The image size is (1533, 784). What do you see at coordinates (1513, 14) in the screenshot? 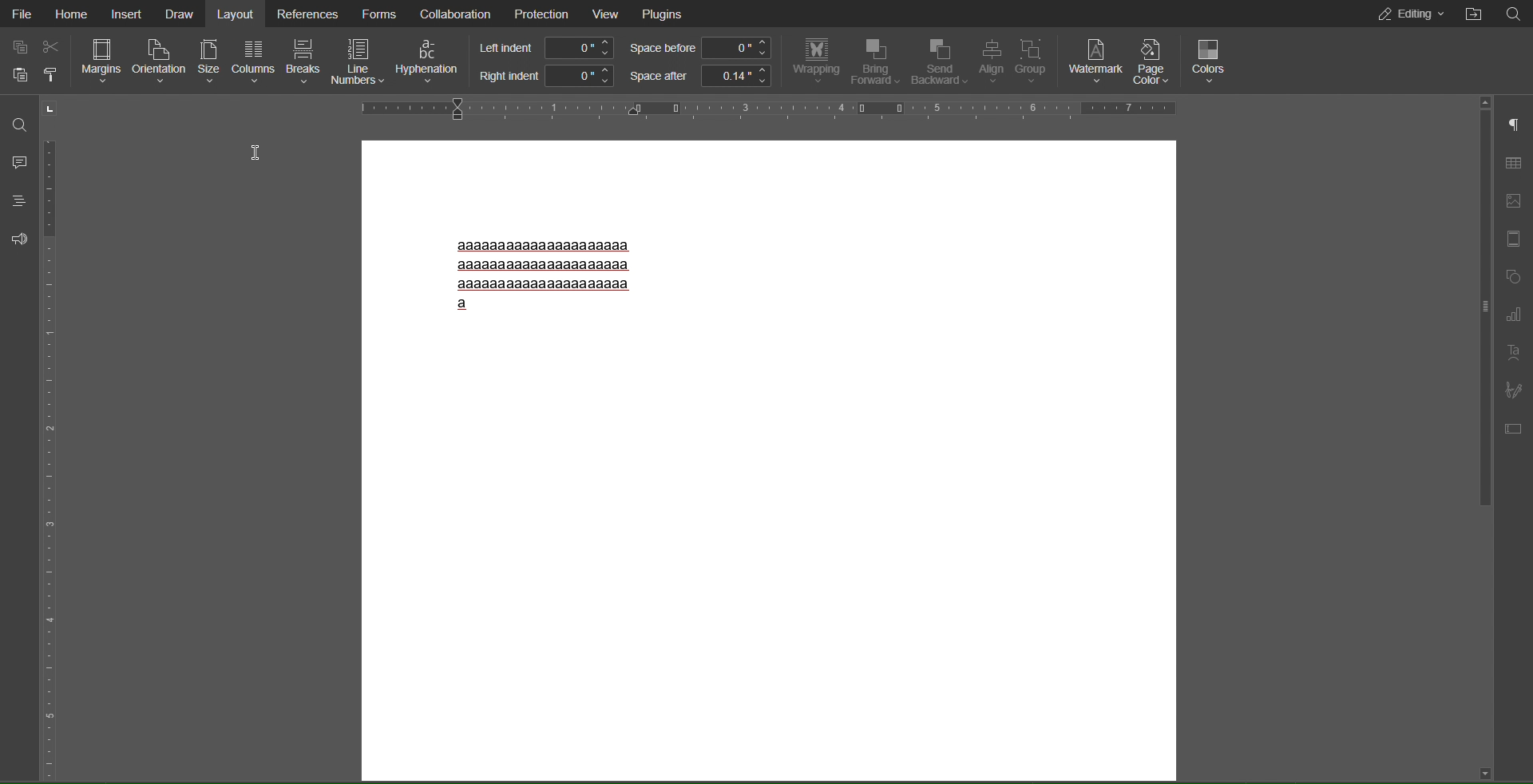
I see `Search` at bounding box center [1513, 14].